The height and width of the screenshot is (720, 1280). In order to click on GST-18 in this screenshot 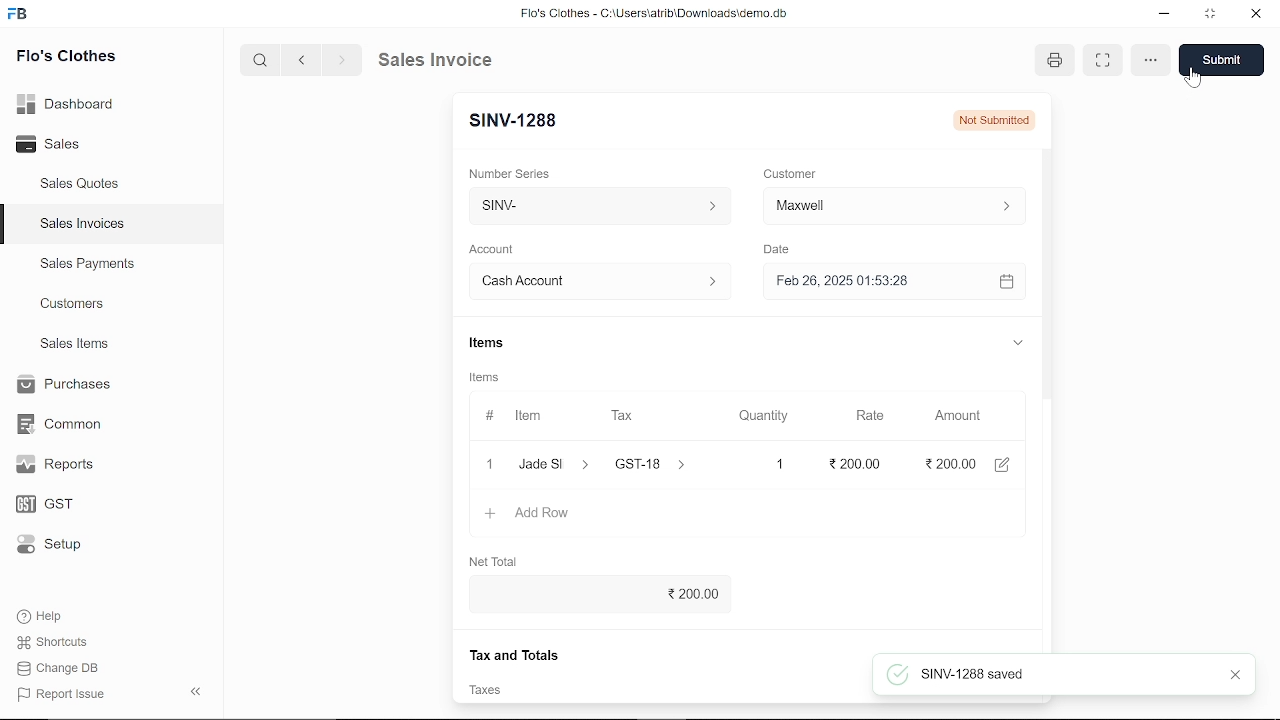, I will do `click(662, 464)`.